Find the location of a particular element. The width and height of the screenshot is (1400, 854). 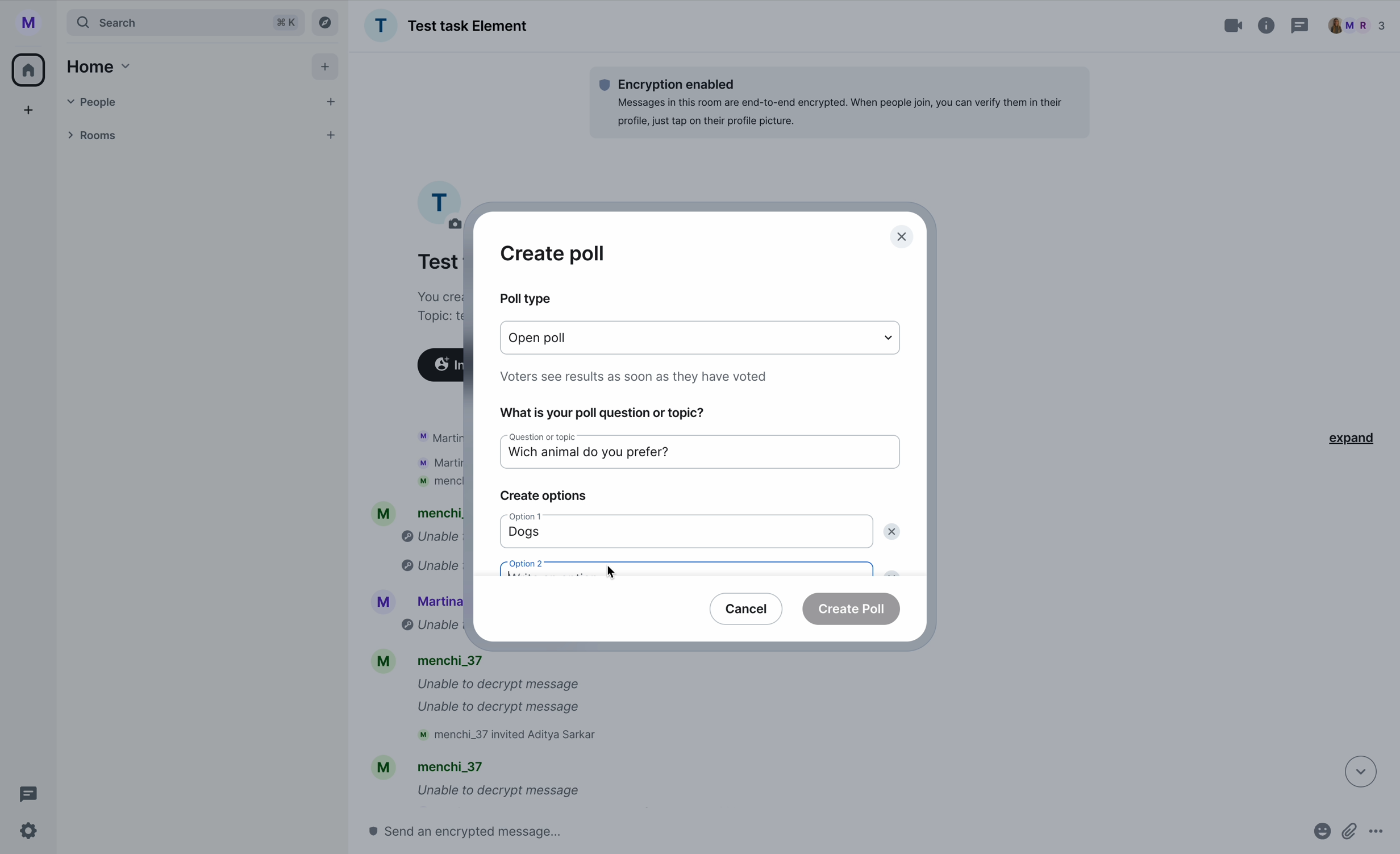

delete is located at coordinates (894, 532).